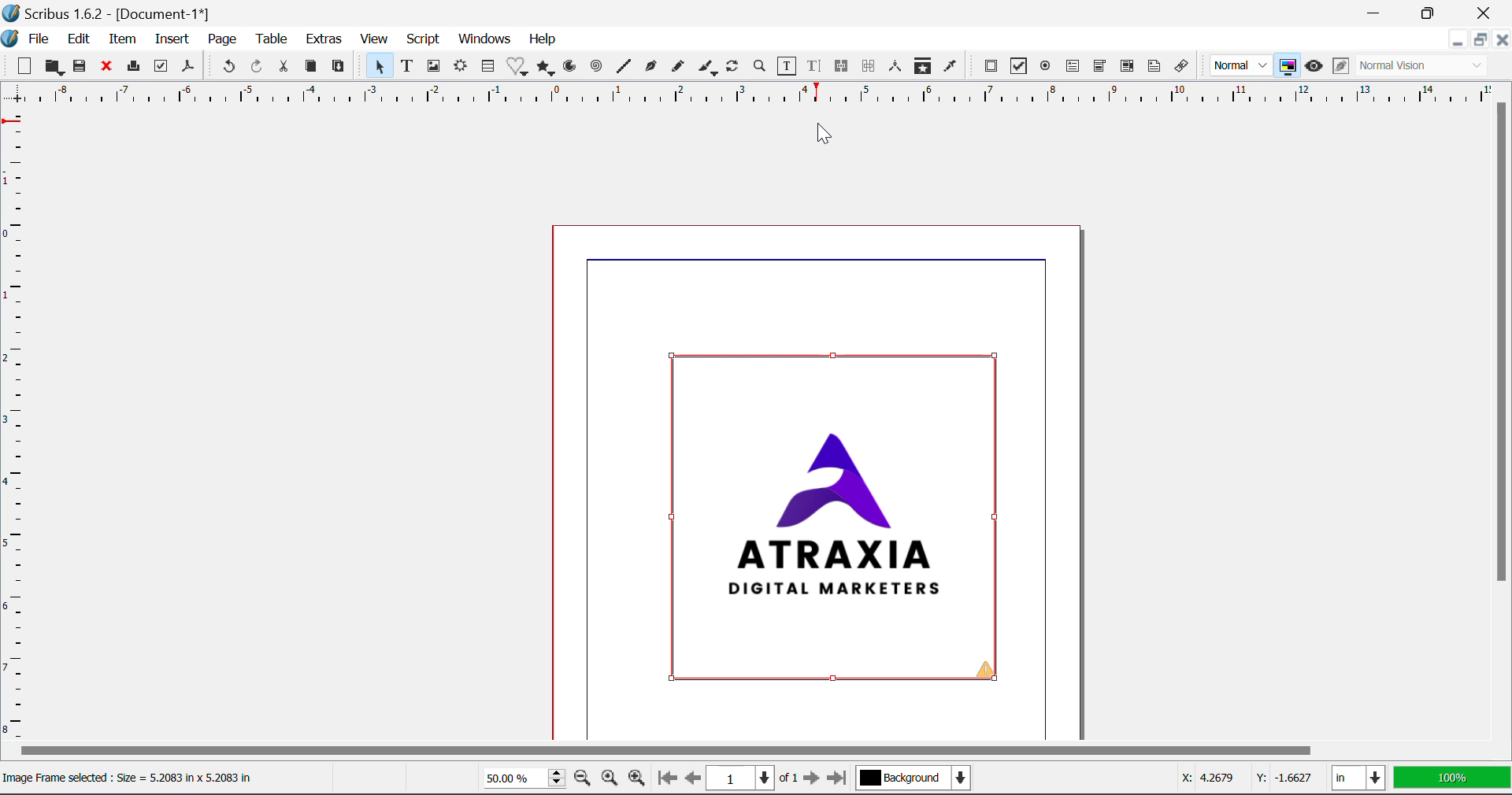  I want to click on Windows, so click(486, 38).